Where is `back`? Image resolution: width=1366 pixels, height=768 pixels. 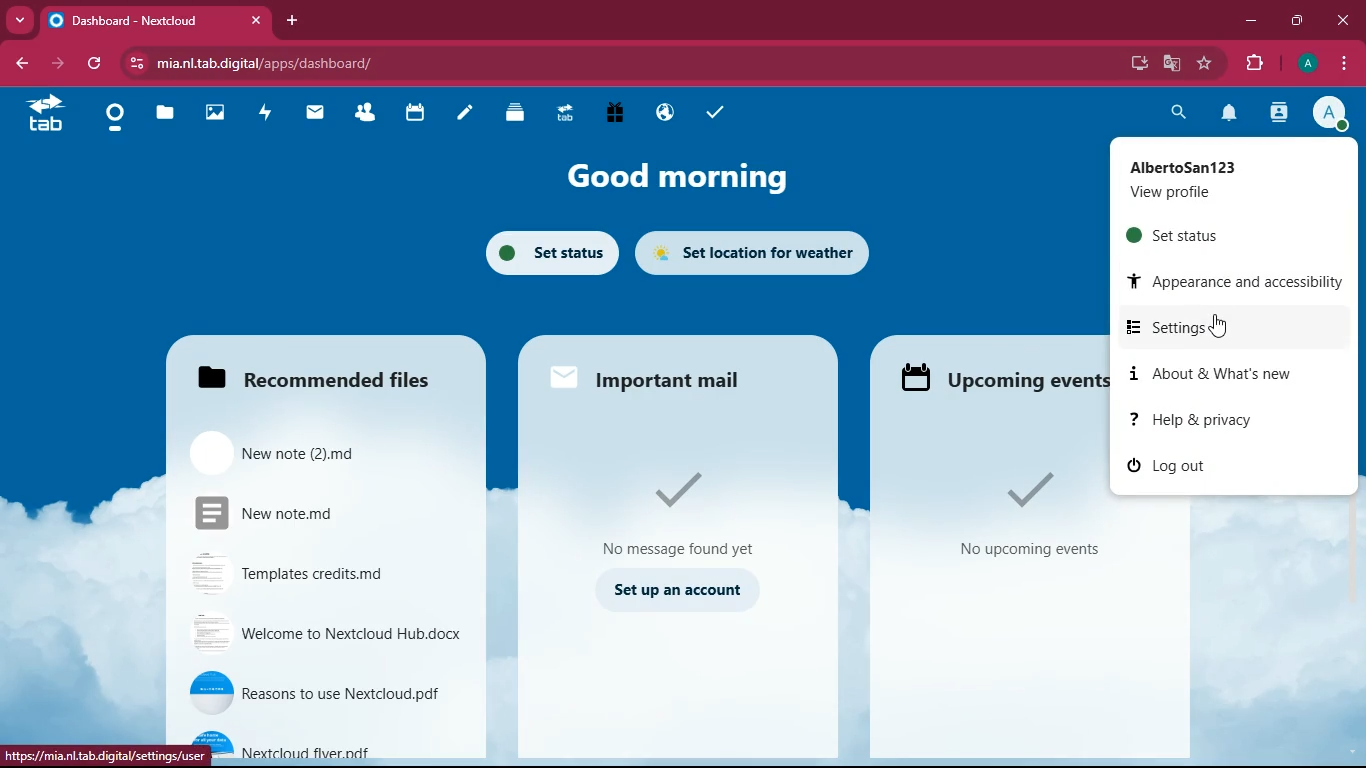
back is located at coordinates (19, 63).